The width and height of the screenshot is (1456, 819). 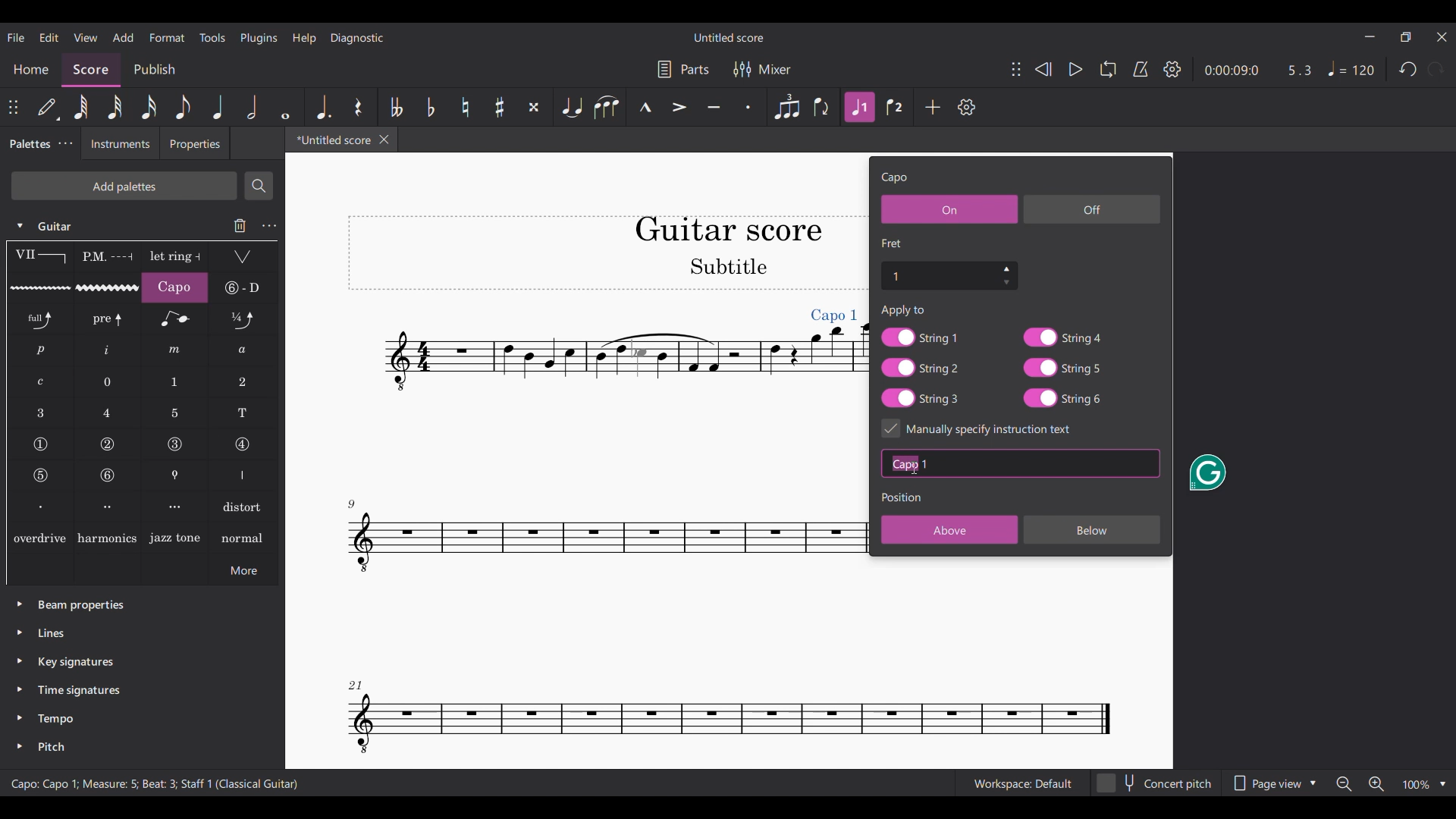 What do you see at coordinates (396, 107) in the screenshot?
I see `Toggle double flat` at bounding box center [396, 107].